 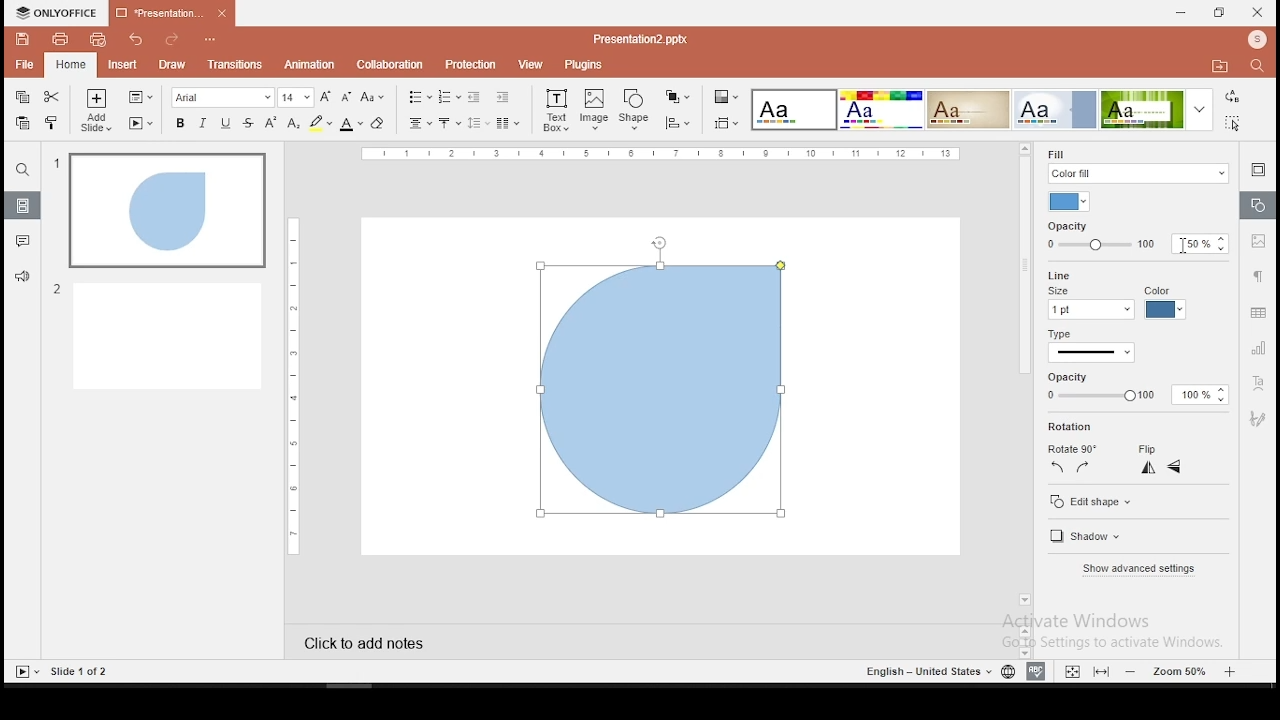 I want to click on increase font size, so click(x=326, y=96).